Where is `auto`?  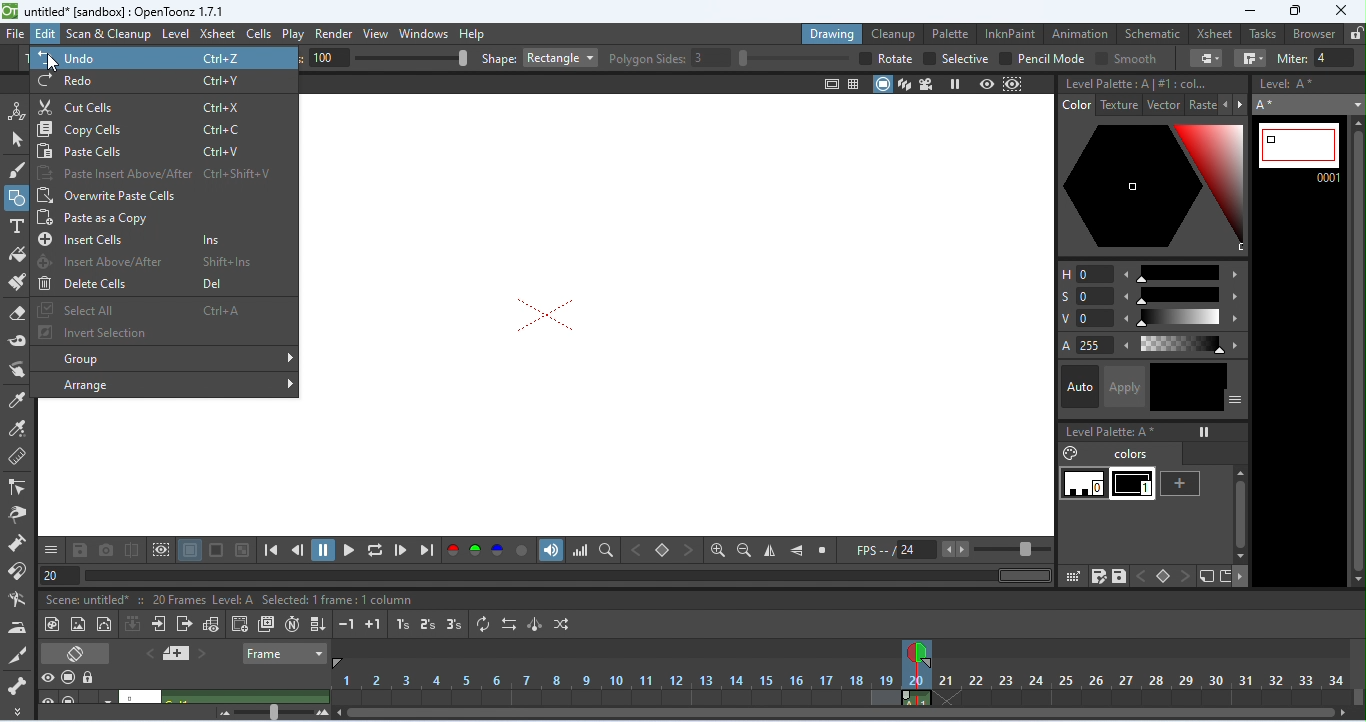 auto is located at coordinates (1080, 387).